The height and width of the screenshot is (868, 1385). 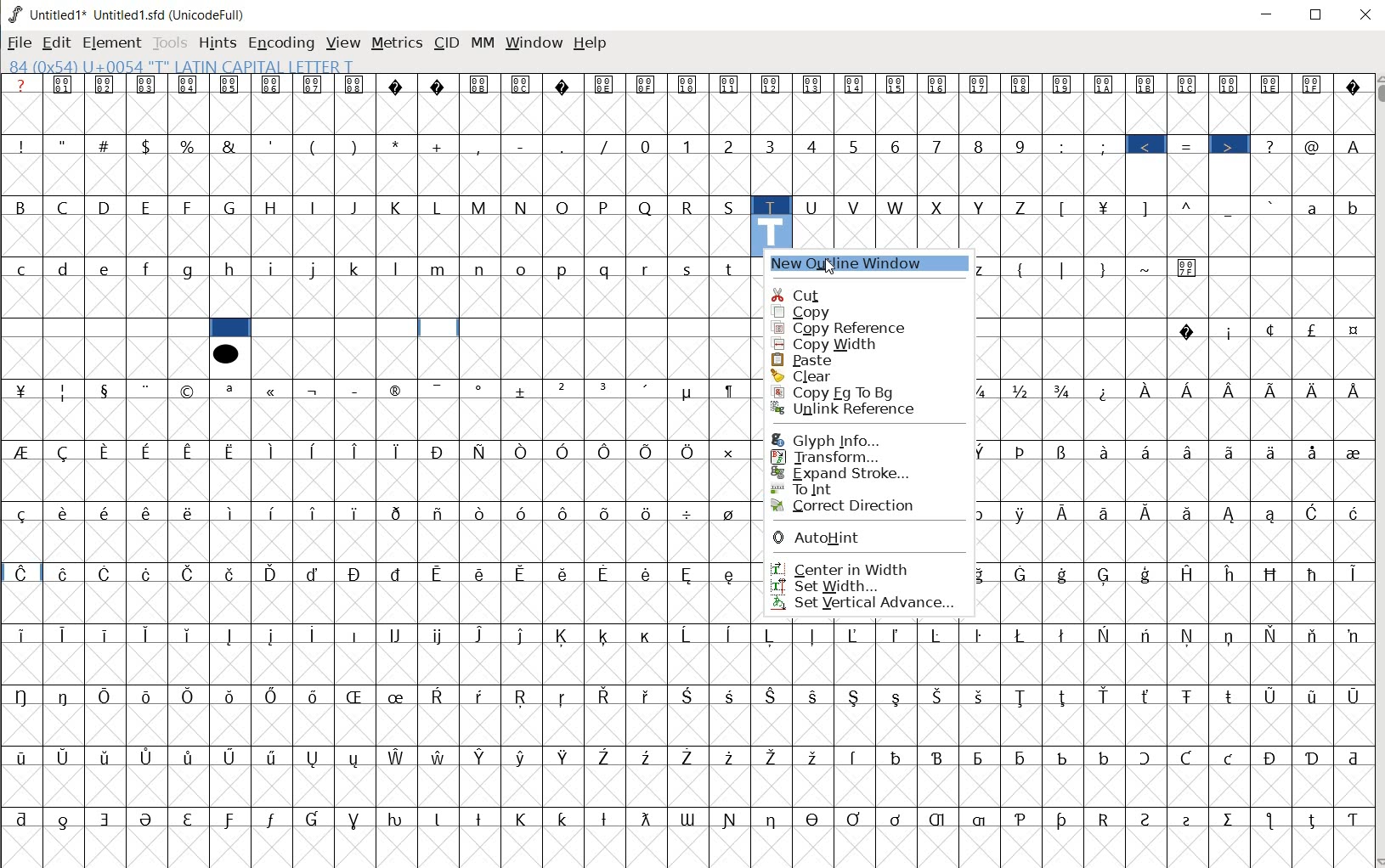 I want to click on t, so click(x=731, y=268).